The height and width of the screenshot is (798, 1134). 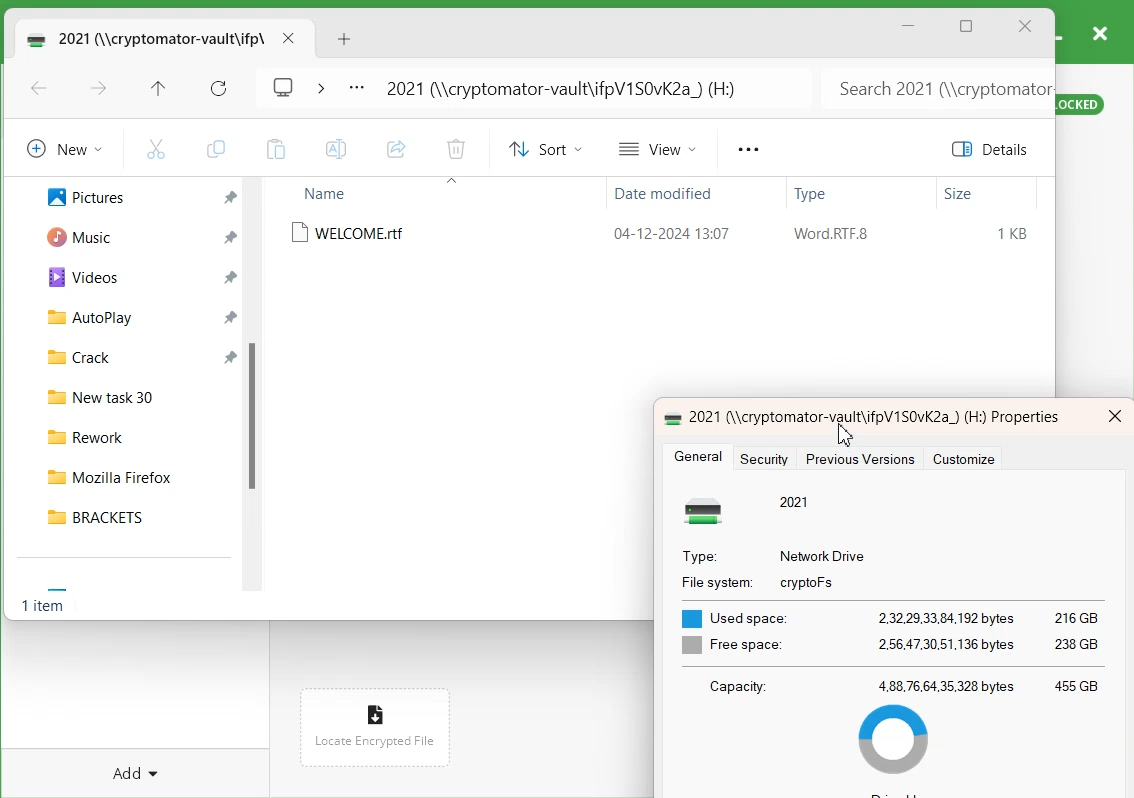 I want to click on Vault Folder, so click(x=142, y=38).